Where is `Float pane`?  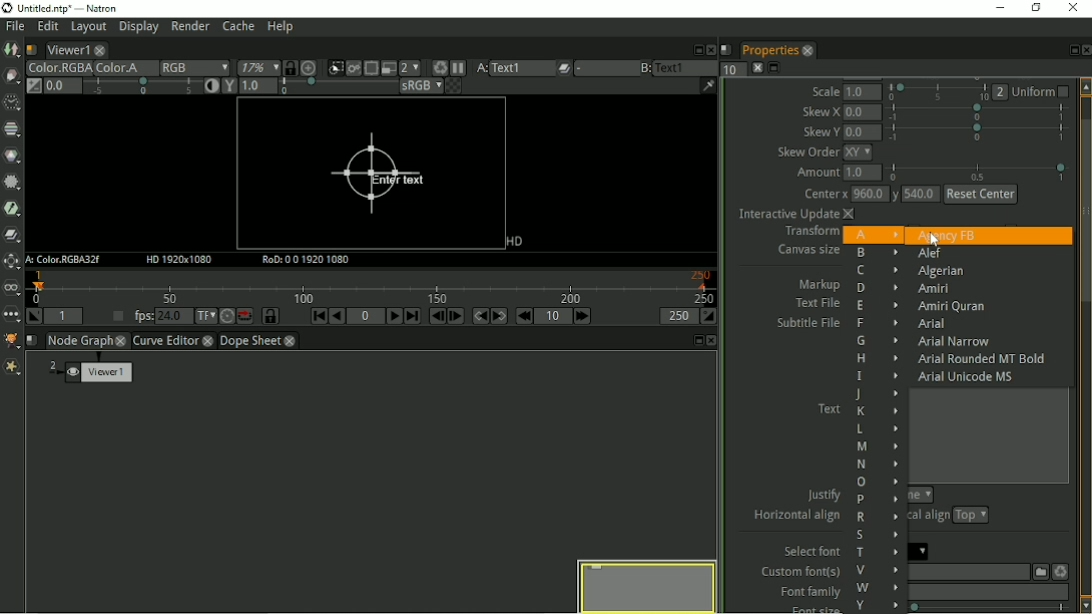 Float pane is located at coordinates (695, 49).